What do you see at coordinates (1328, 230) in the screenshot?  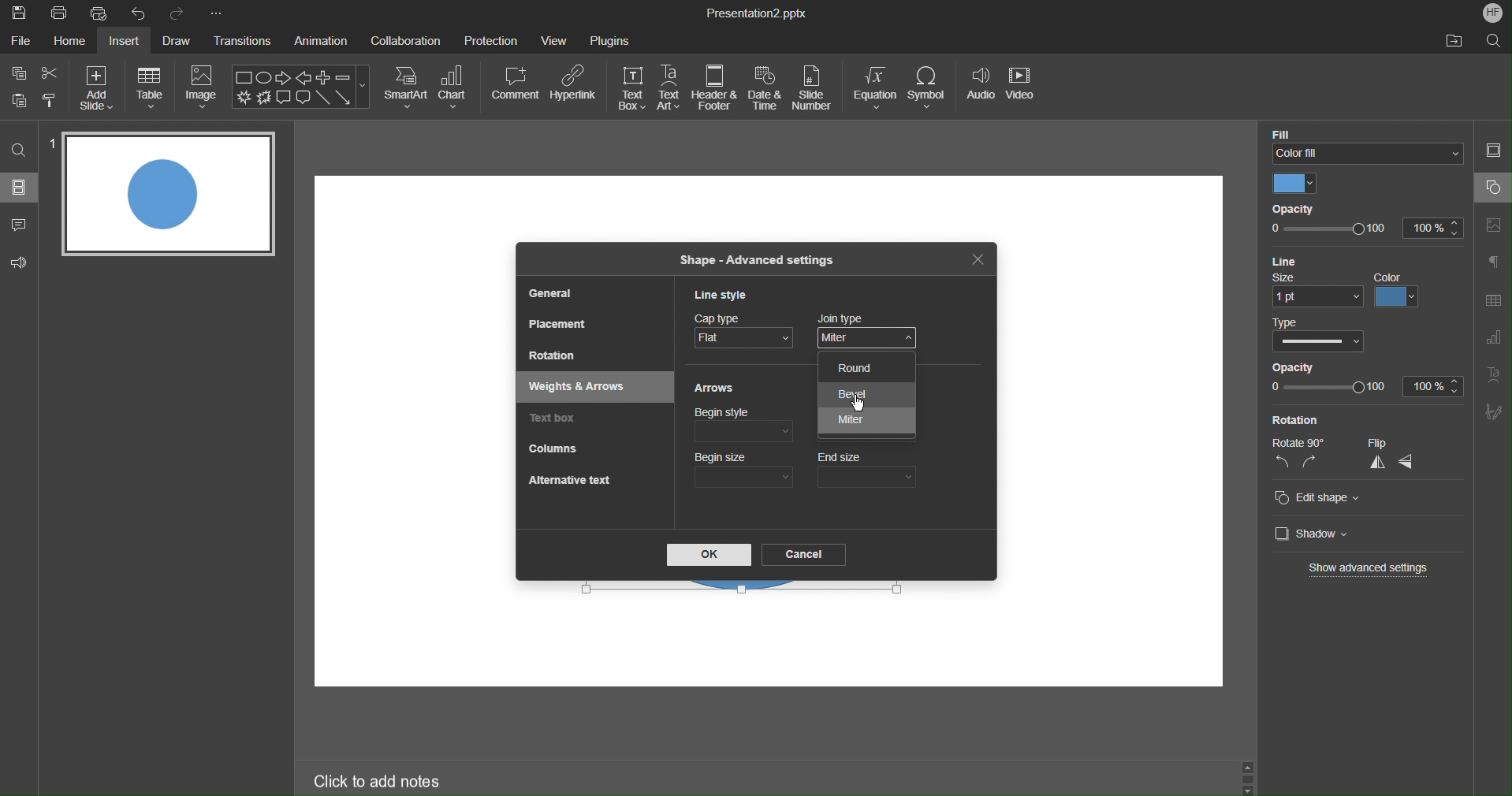 I see `opacity slider` at bounding box center [1328, 230].